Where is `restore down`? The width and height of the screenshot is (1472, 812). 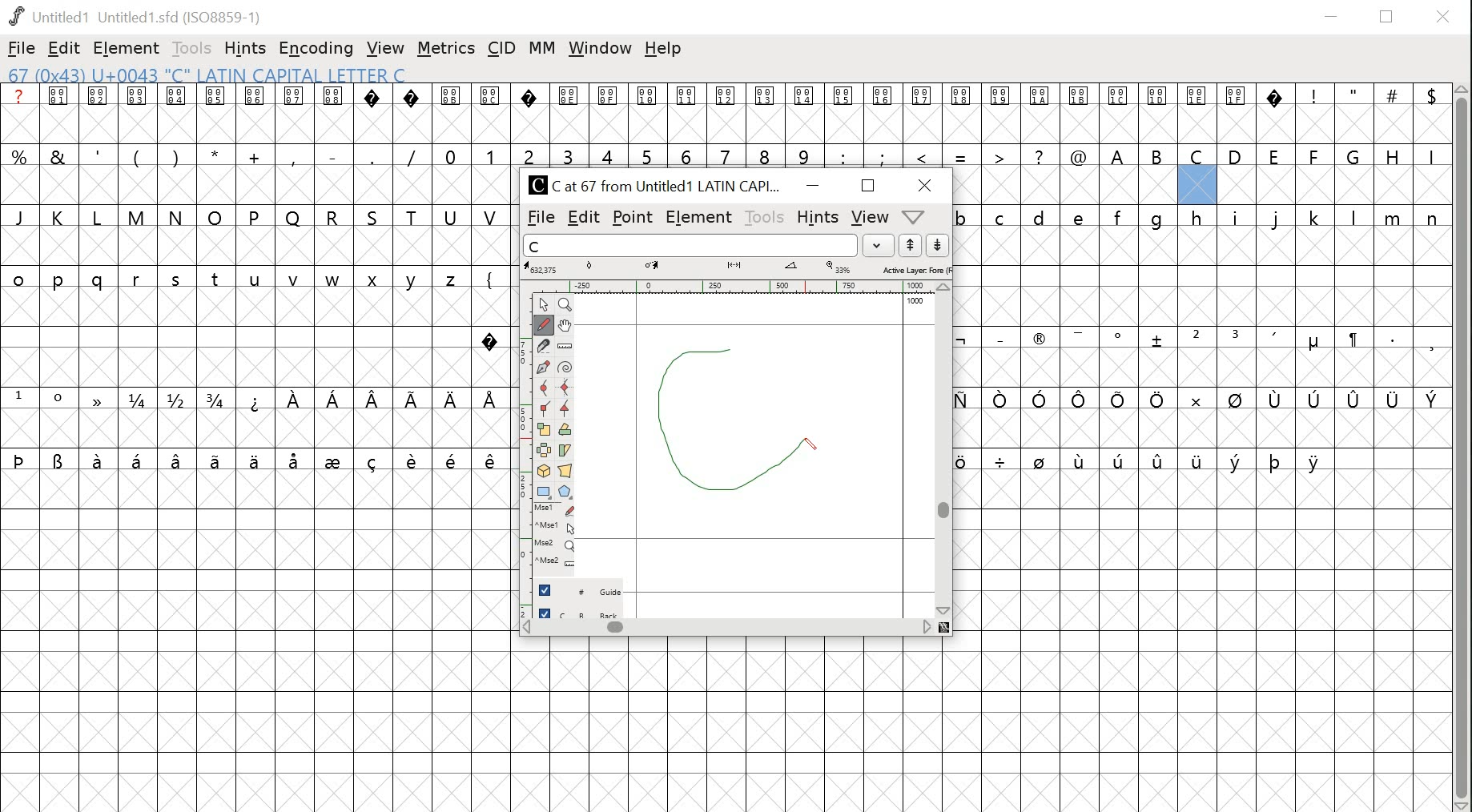
restore down is located at coordinates (1388, 16).